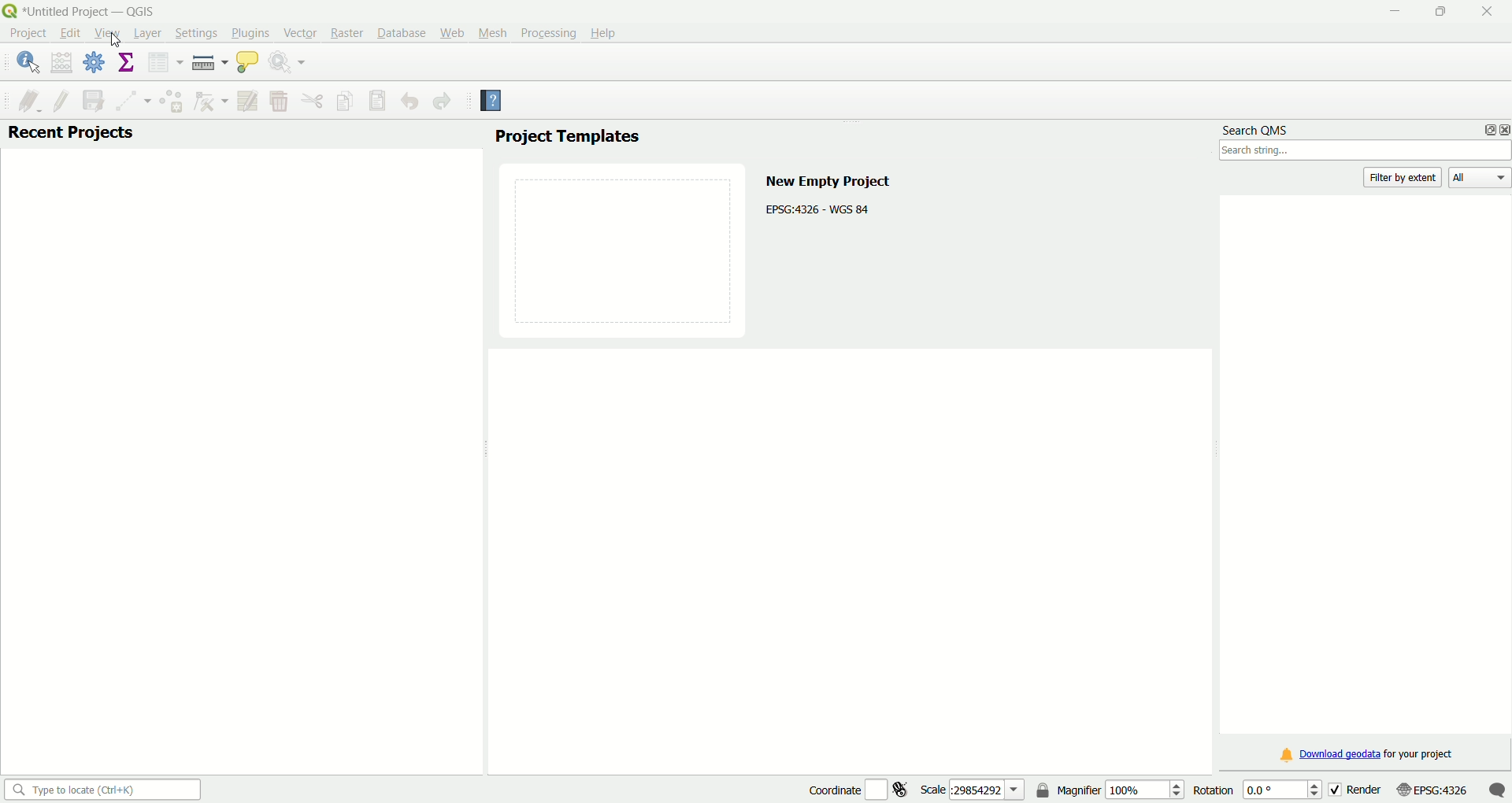 This screenshot has width=1512, height=803. I want to click on Minimize, so click(1393, 13).